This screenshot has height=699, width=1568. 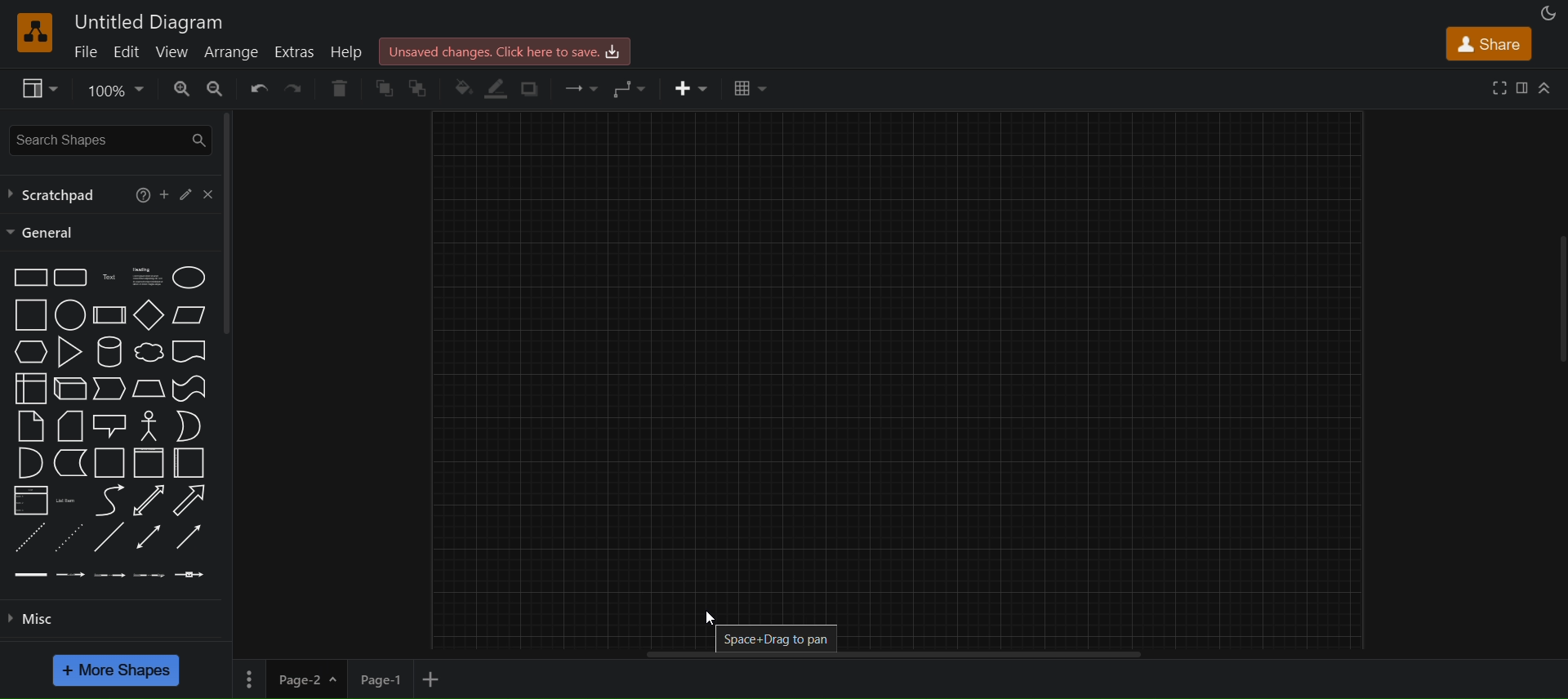 I want to click on shadow, so click(x=532, y=89).